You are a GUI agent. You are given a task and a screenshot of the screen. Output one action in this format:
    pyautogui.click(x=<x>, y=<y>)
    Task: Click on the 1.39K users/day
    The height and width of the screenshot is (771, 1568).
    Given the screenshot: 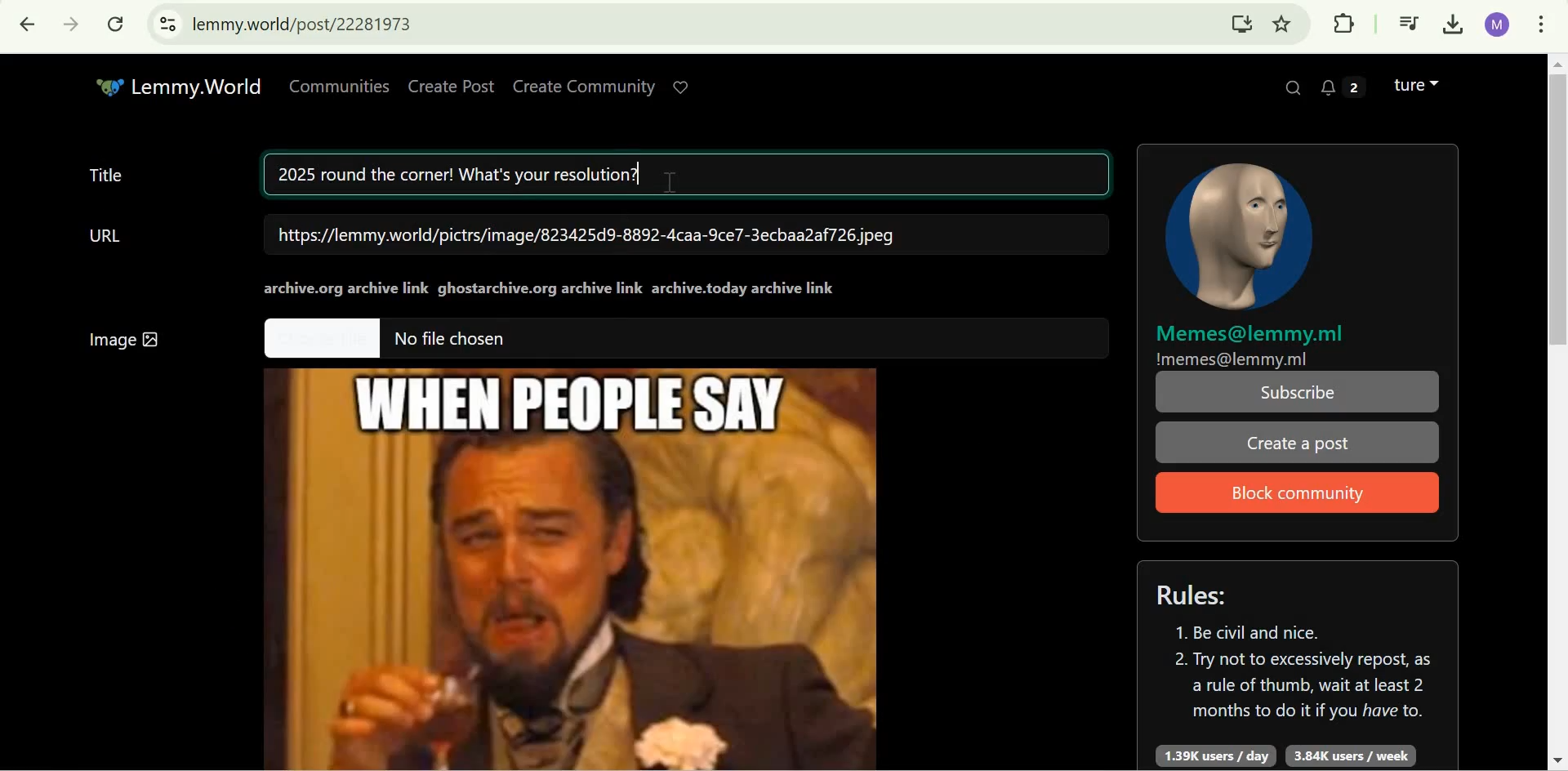 What is the action you would take?
    pyautogui.click(x=1217, y=756)
    